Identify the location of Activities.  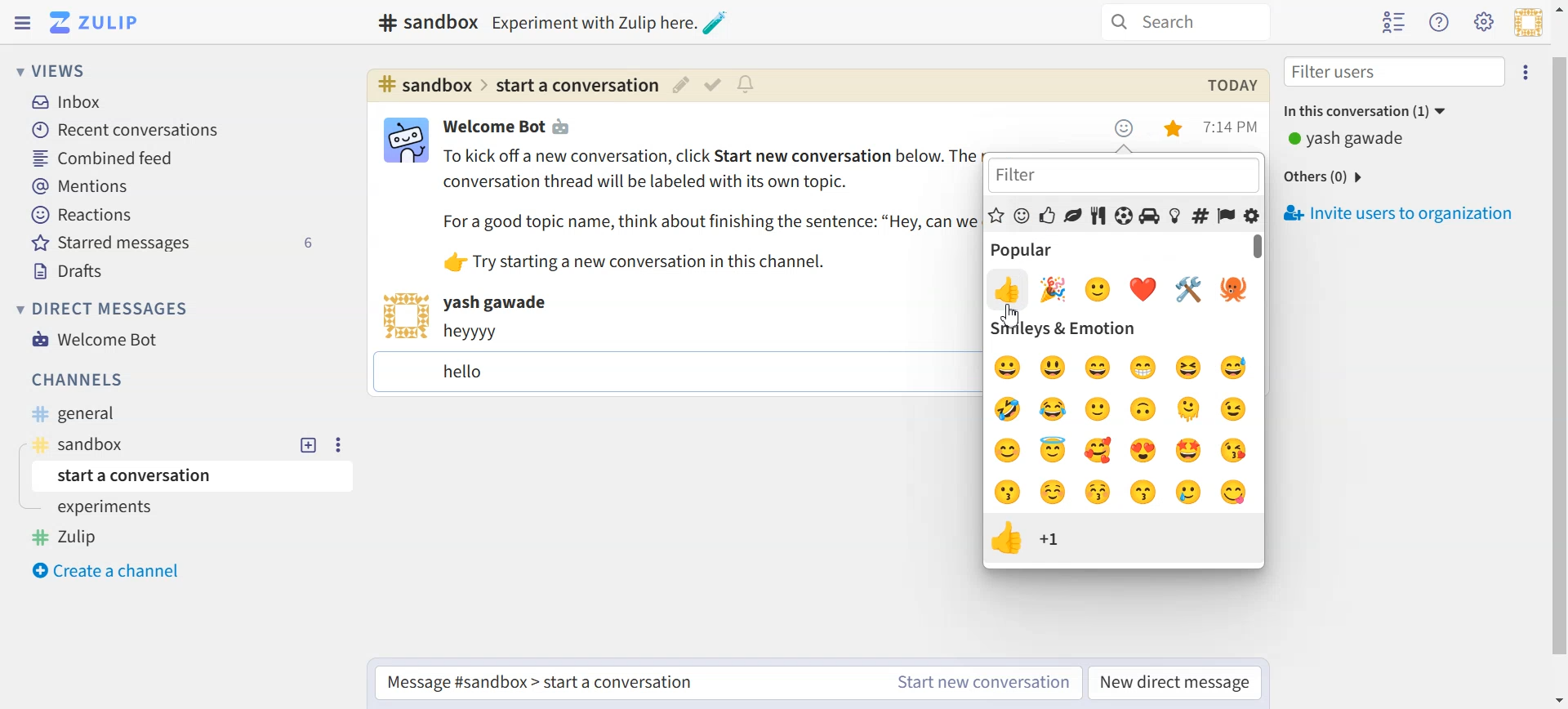
(1123, 216).